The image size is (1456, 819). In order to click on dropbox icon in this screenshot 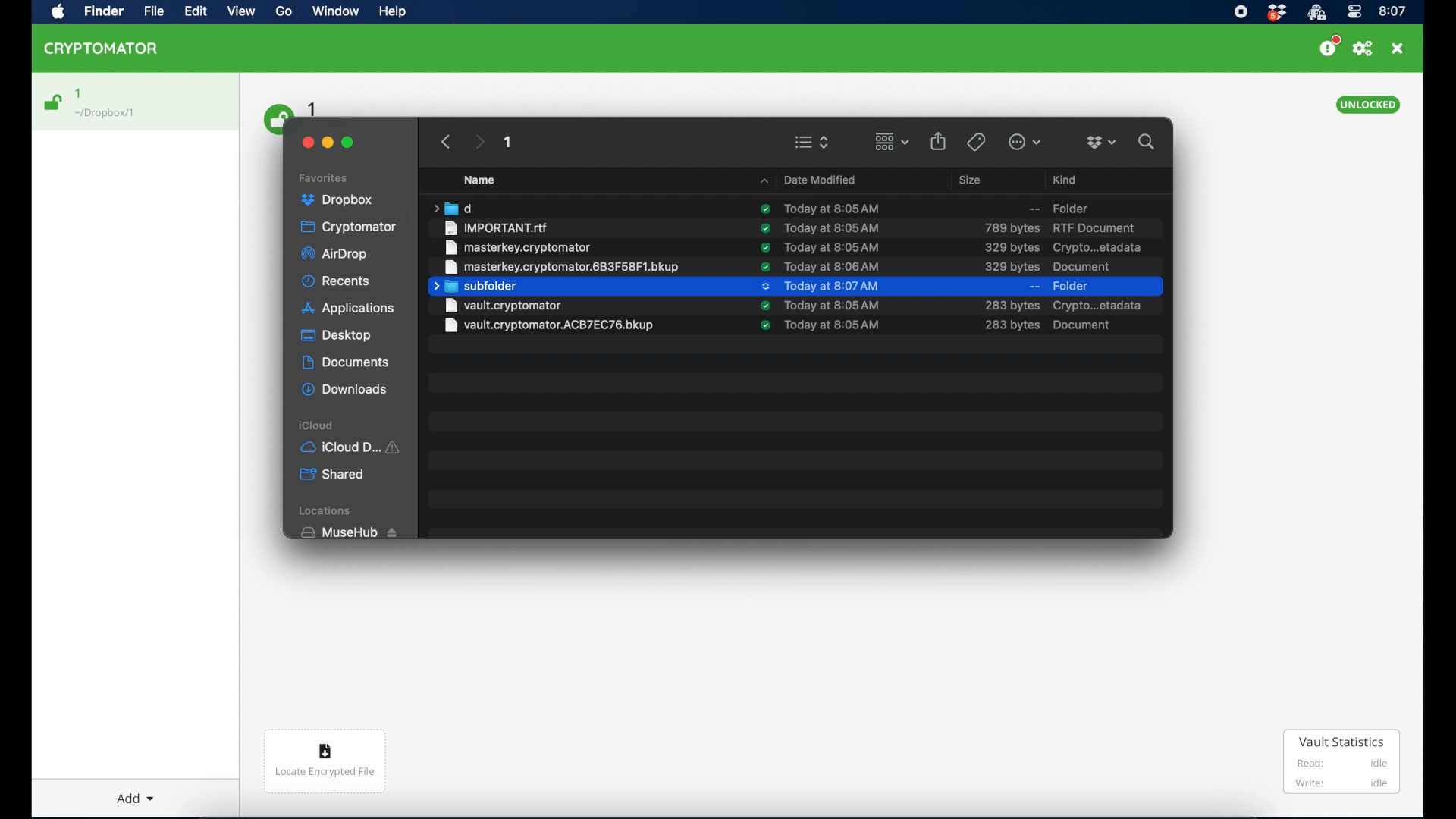, I will do `click(1276, 13)`.